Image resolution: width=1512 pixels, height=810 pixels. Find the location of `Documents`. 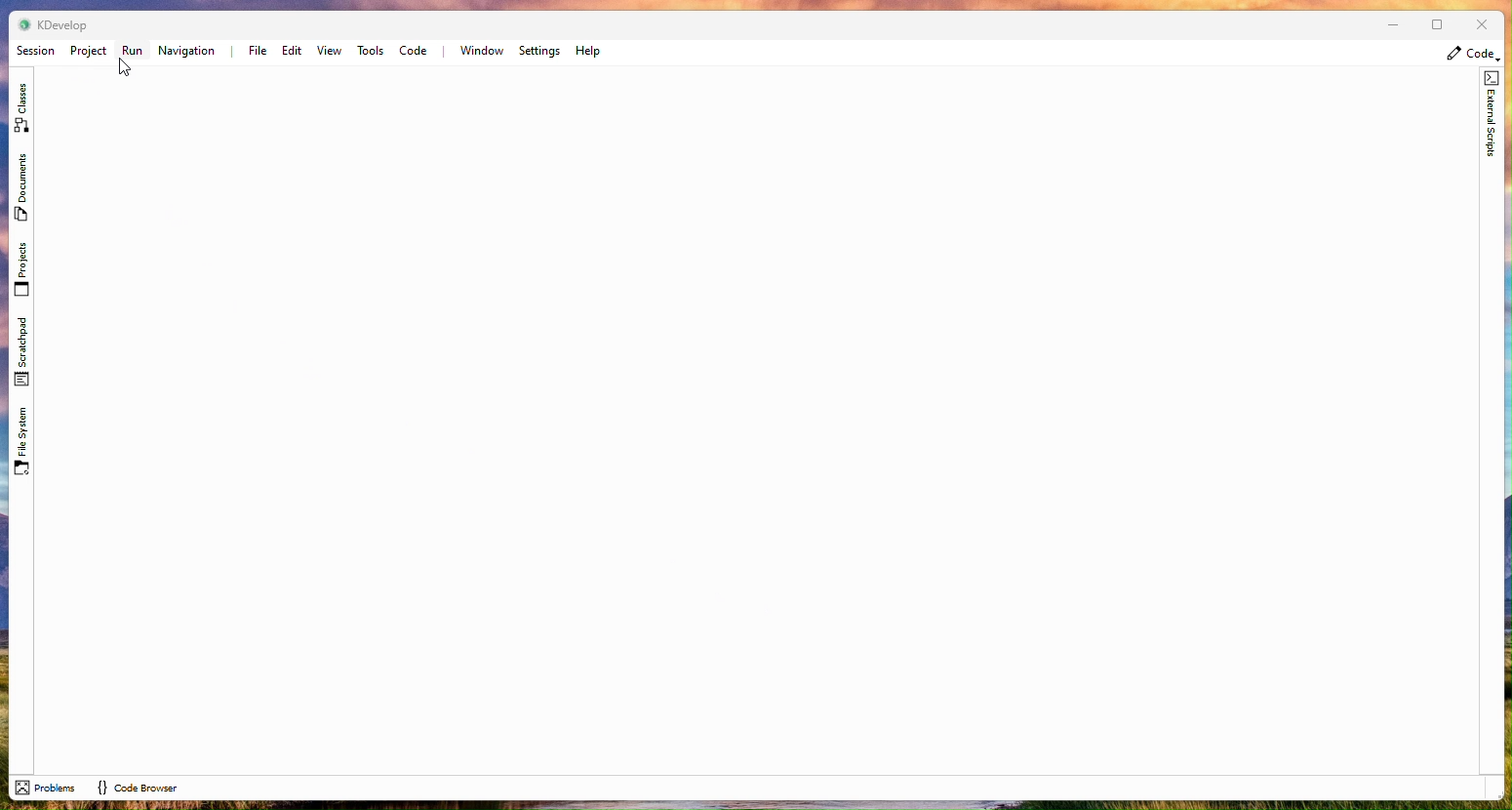

Documents is located at coordinates (20, 188).